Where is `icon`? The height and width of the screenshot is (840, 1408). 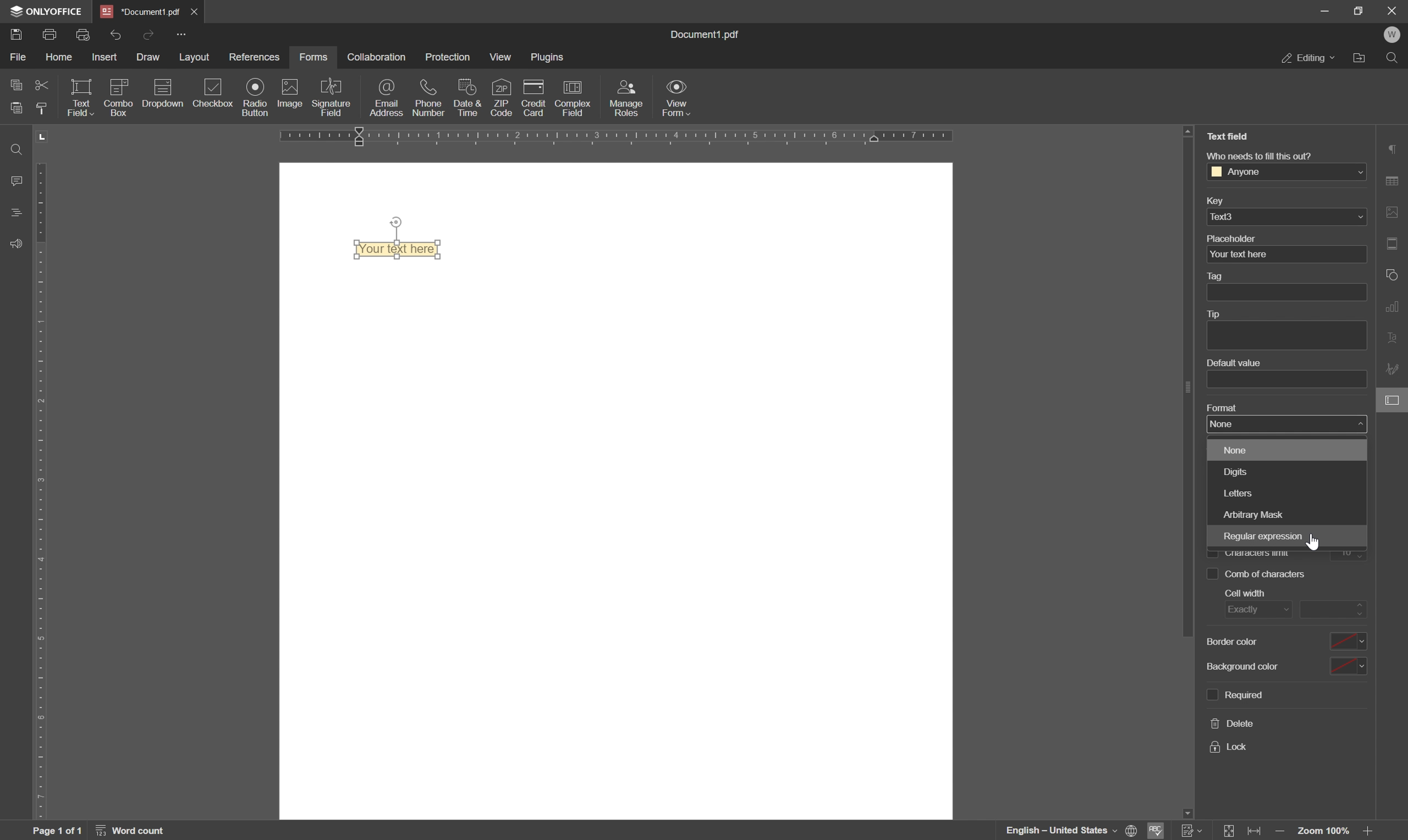 icon is located at coordinates (117, 96).